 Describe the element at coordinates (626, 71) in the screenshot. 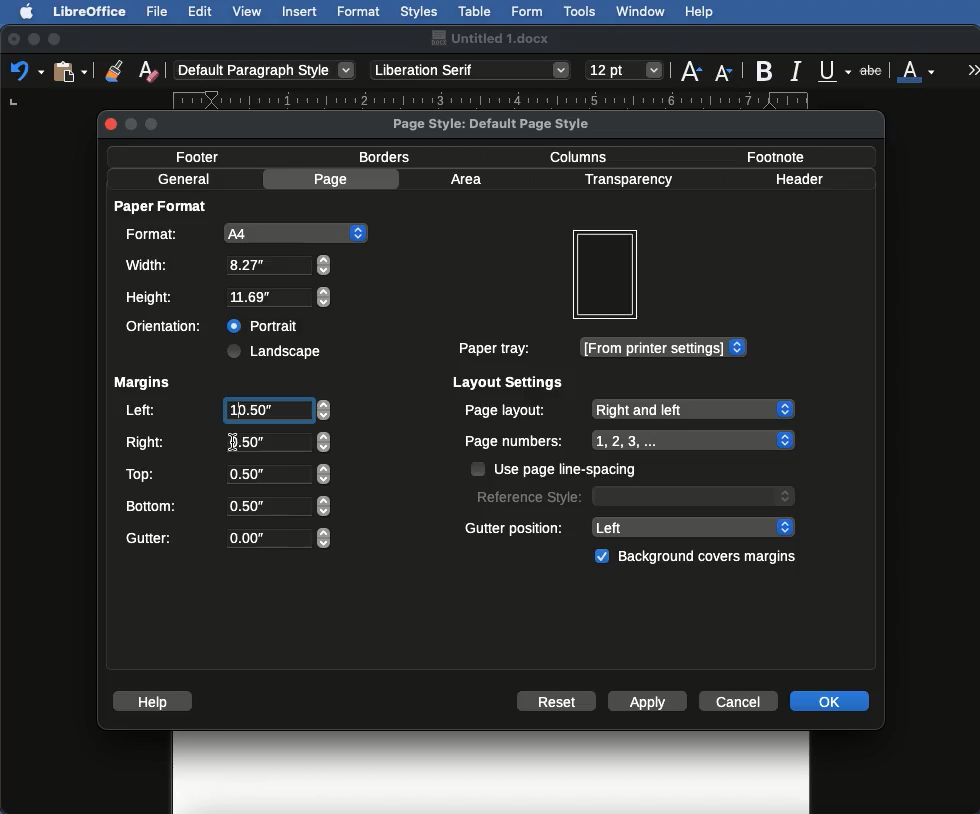

I see `Size` at that location.